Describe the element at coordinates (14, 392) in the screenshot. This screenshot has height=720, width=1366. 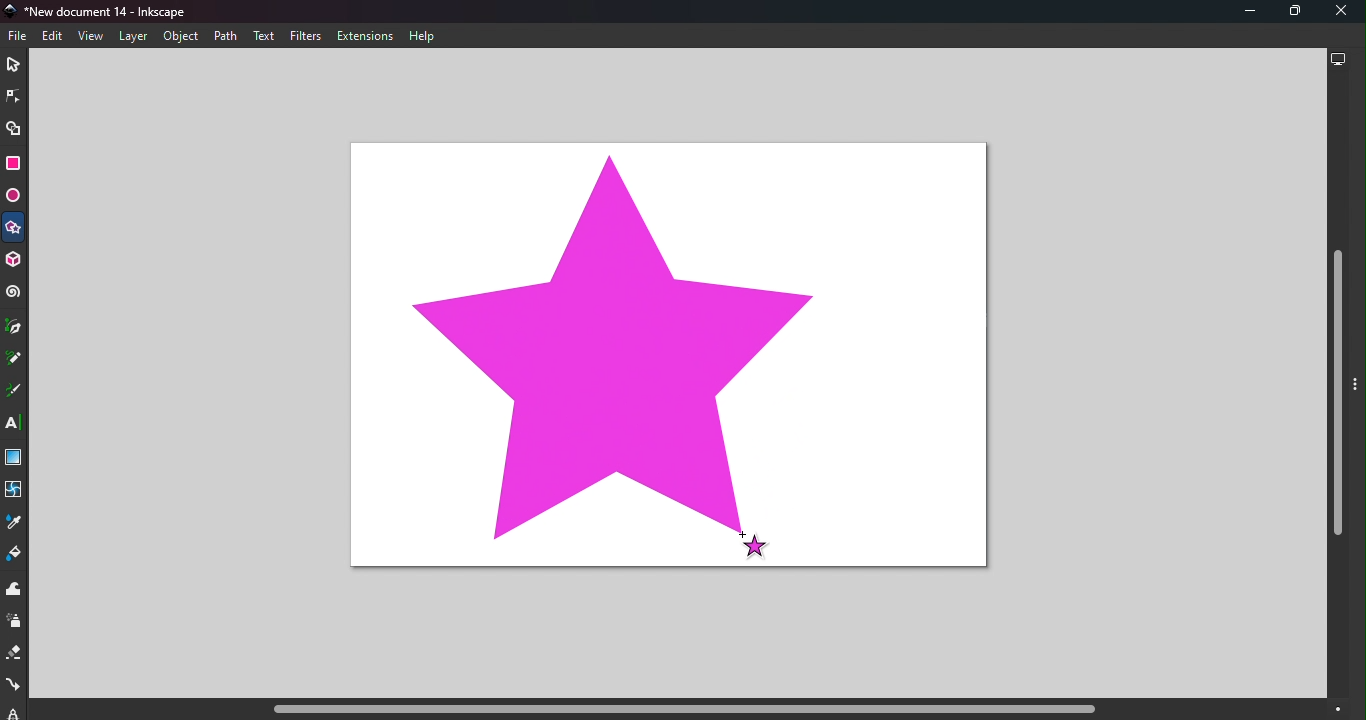
I see `Calligraphy tool` at that location.